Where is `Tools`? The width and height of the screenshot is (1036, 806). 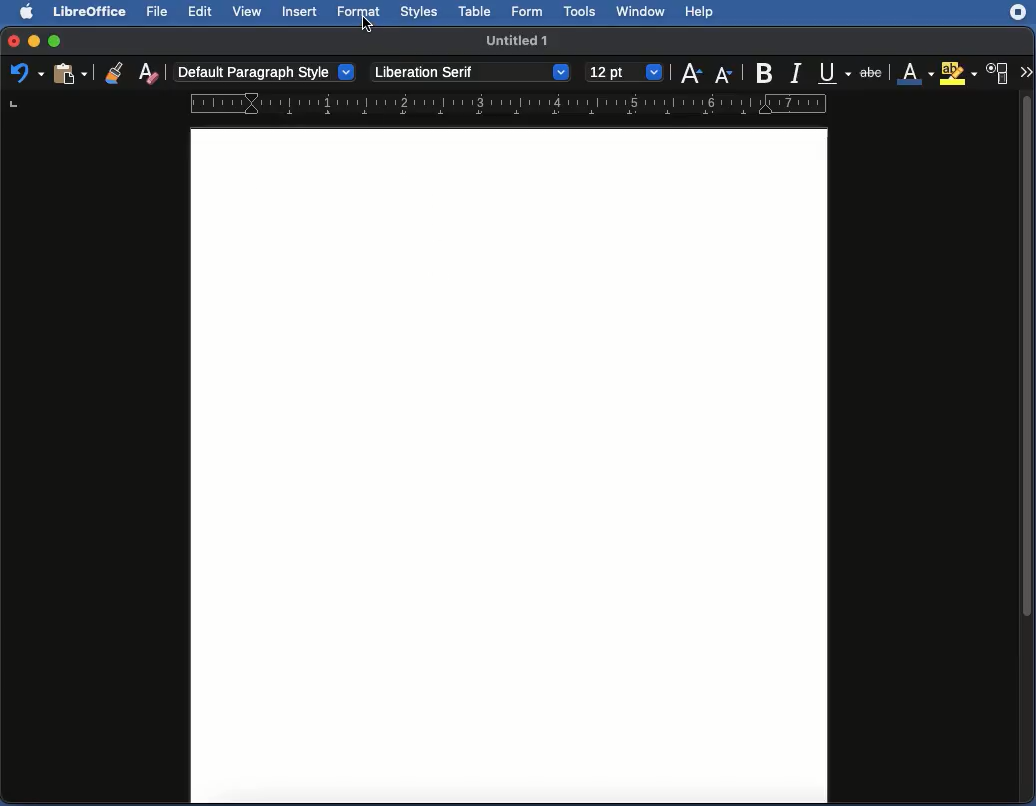 Tools is located at coordinates (582, 11).